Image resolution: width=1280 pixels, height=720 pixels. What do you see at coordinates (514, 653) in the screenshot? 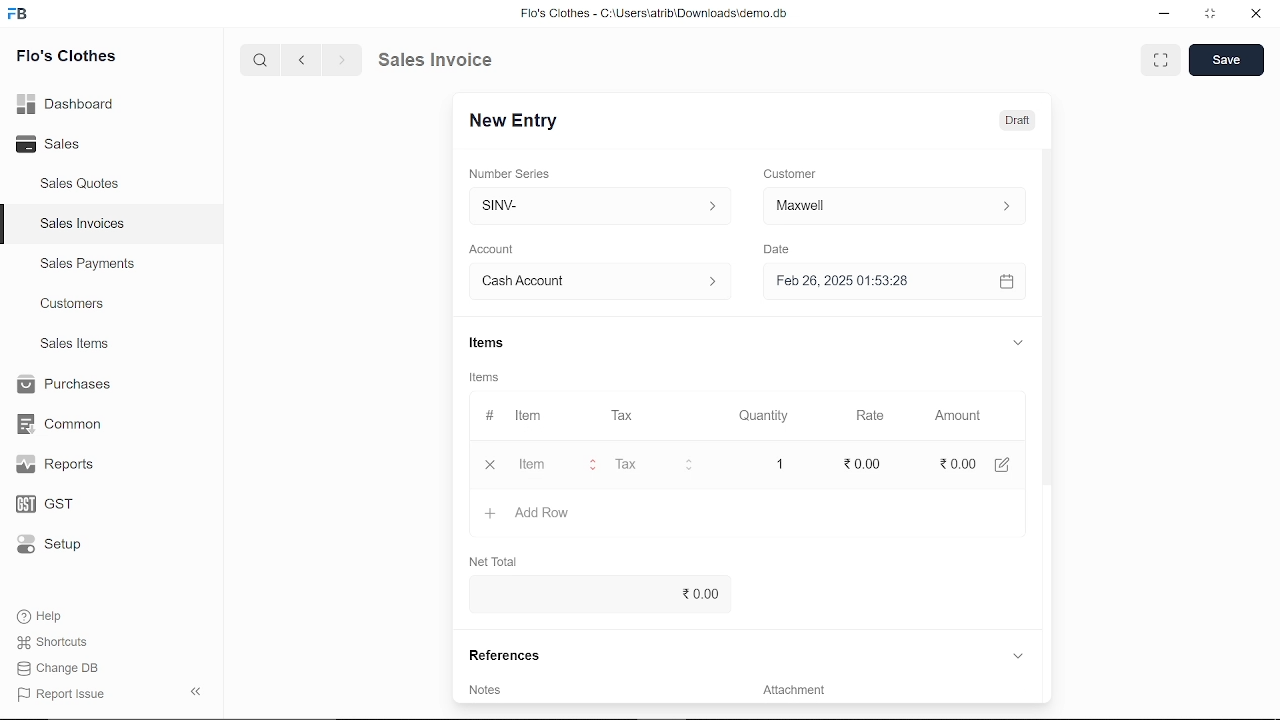
I see `References` at bounding box center [514, 653].